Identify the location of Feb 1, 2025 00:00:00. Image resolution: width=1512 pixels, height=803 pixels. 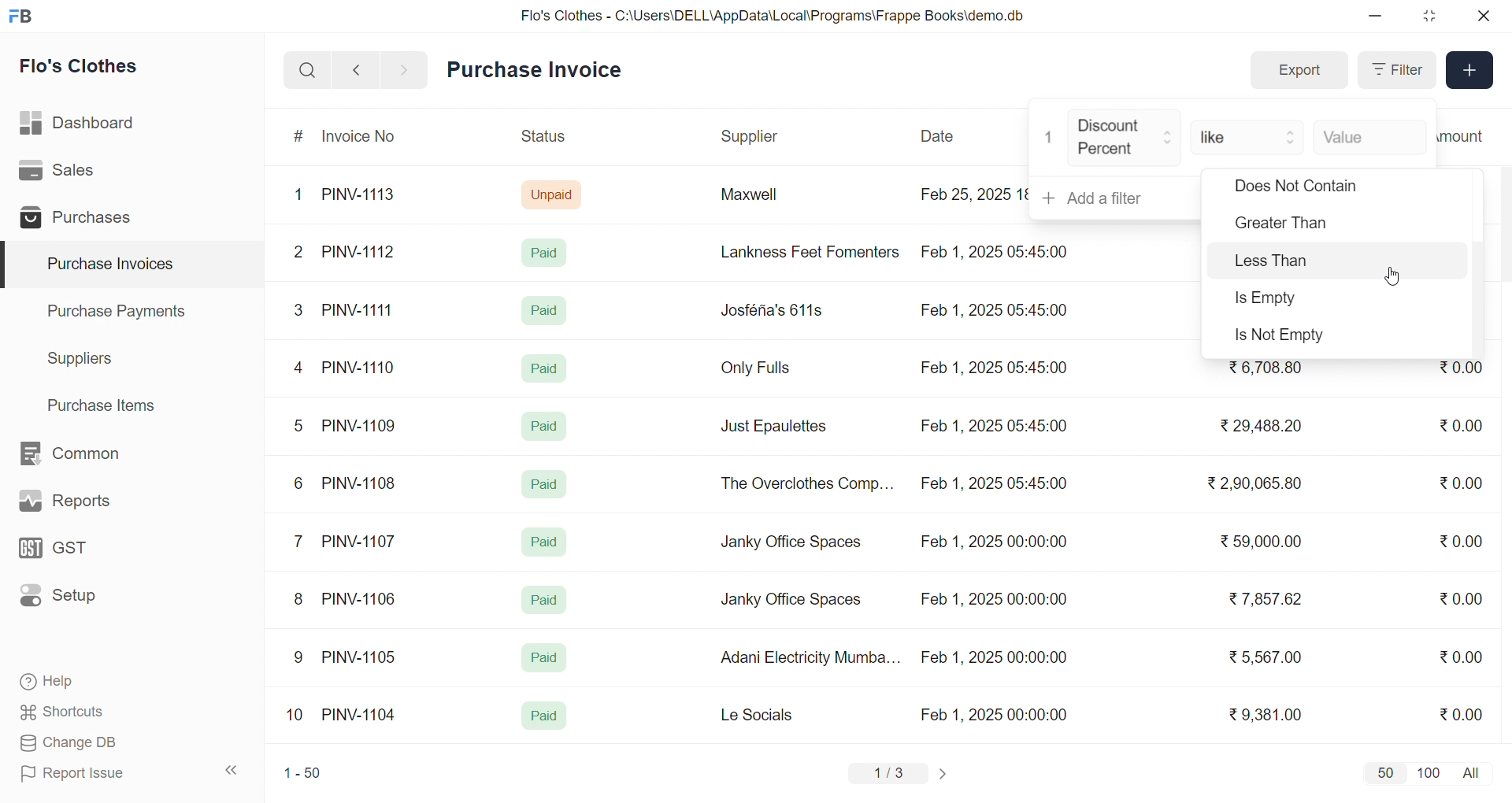
(993, 544).